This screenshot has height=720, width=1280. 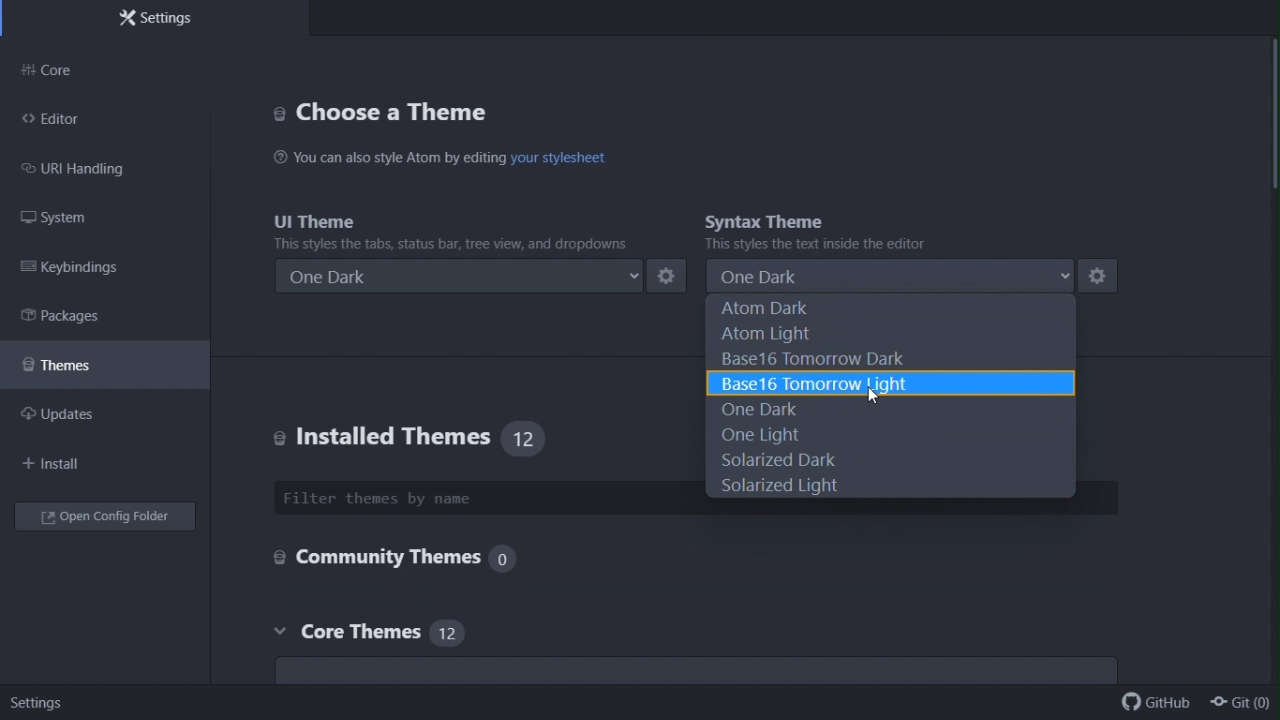 I want to click on Base 16 tomorrow light, so click(x=891, y=384).